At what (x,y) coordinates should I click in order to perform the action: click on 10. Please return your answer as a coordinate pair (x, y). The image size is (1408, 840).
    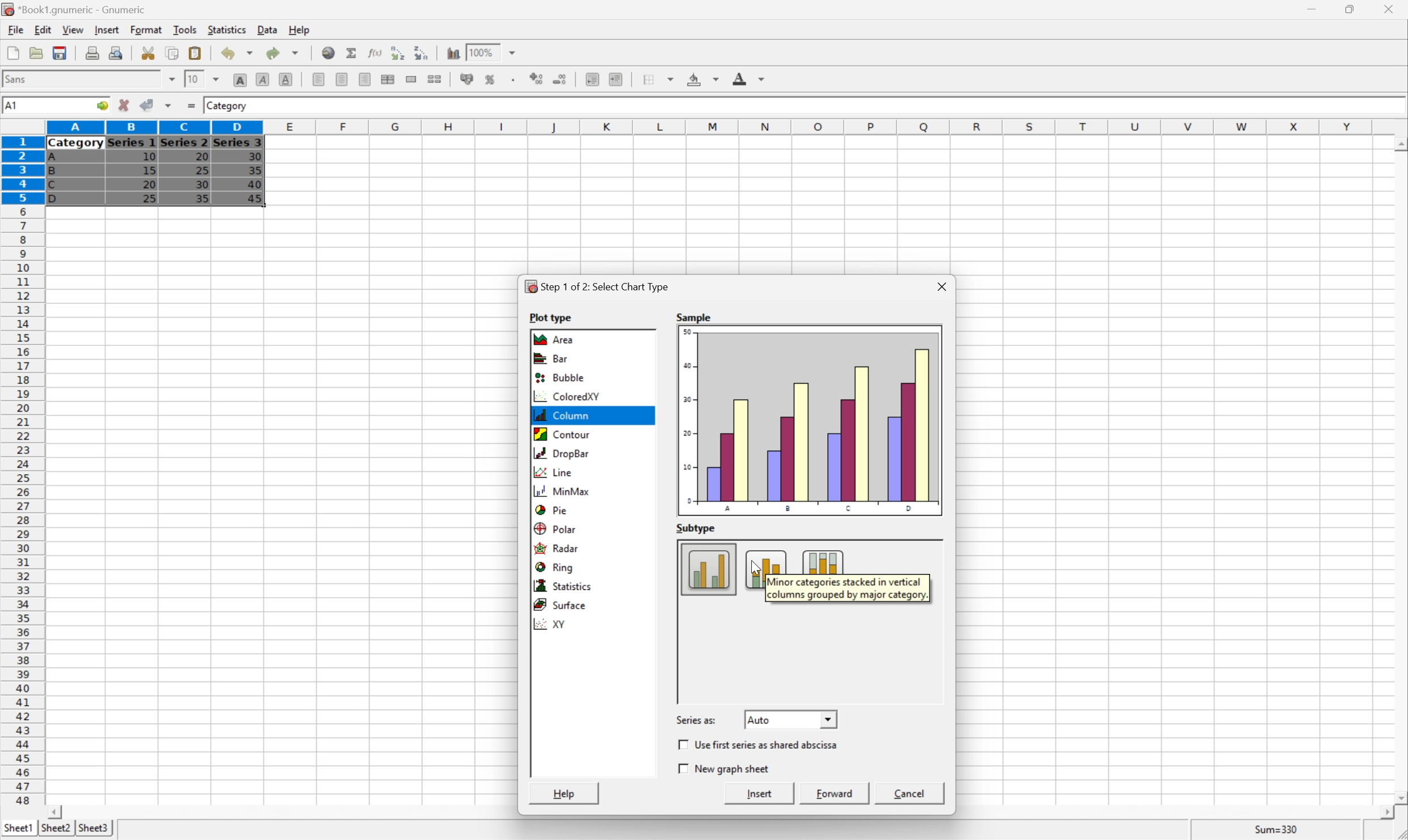
    Looking at the image, I should click on (149, 157).